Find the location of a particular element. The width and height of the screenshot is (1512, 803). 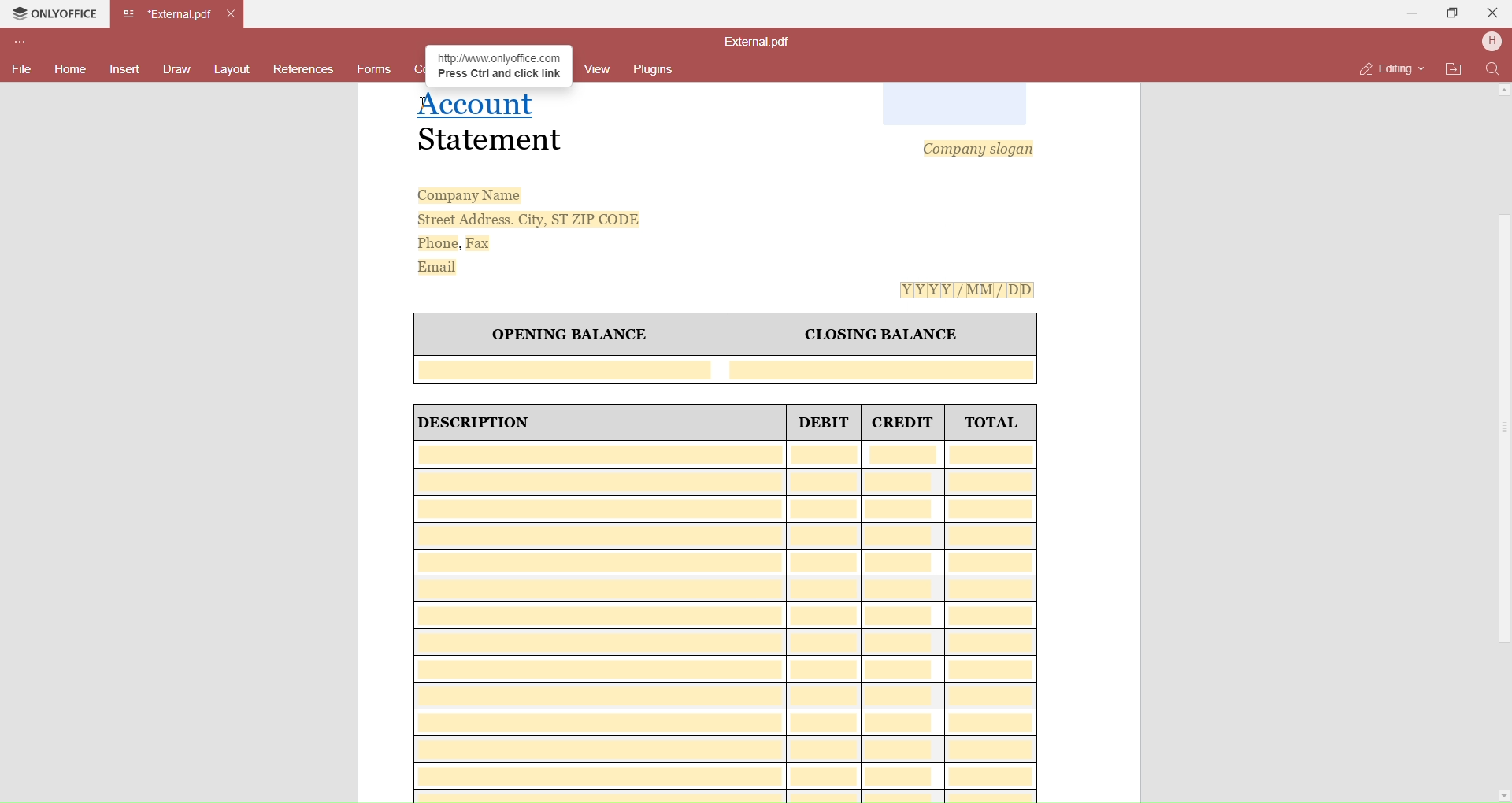

File name is located at coordinates (759, 42).